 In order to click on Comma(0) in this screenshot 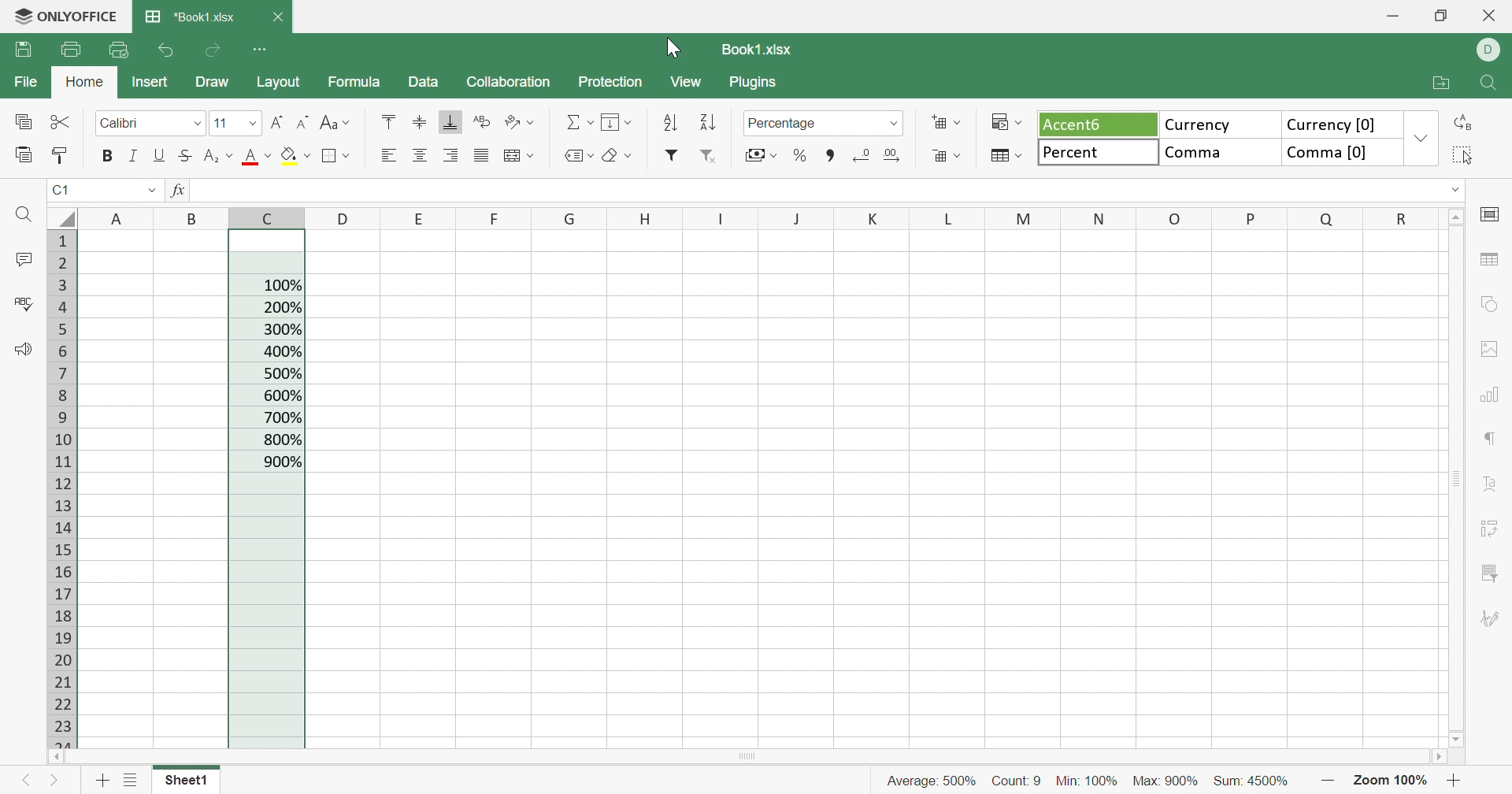, I will do `click(1341, 155)`.